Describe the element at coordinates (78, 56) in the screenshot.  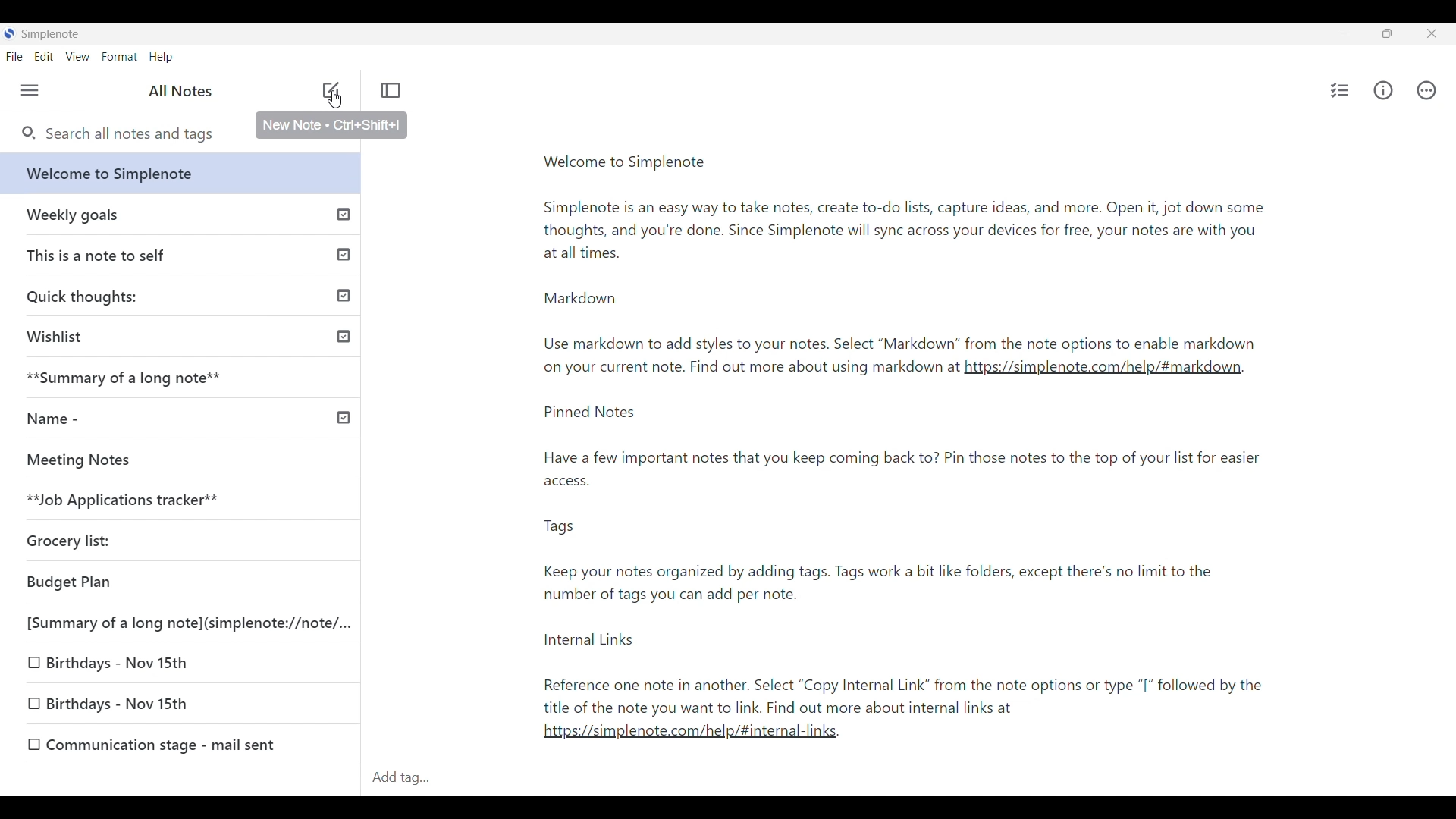
I see `View menu` at that location.